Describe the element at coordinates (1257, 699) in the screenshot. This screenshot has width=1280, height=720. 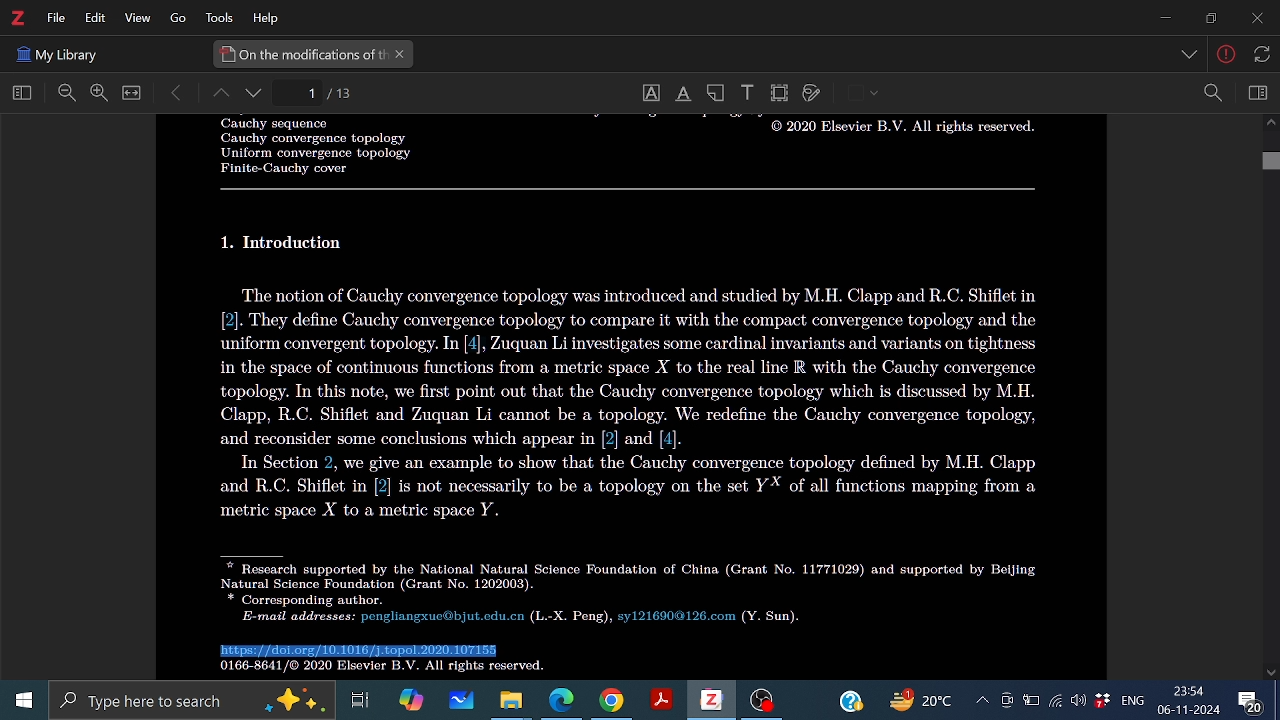
I see `Comment` at that location.